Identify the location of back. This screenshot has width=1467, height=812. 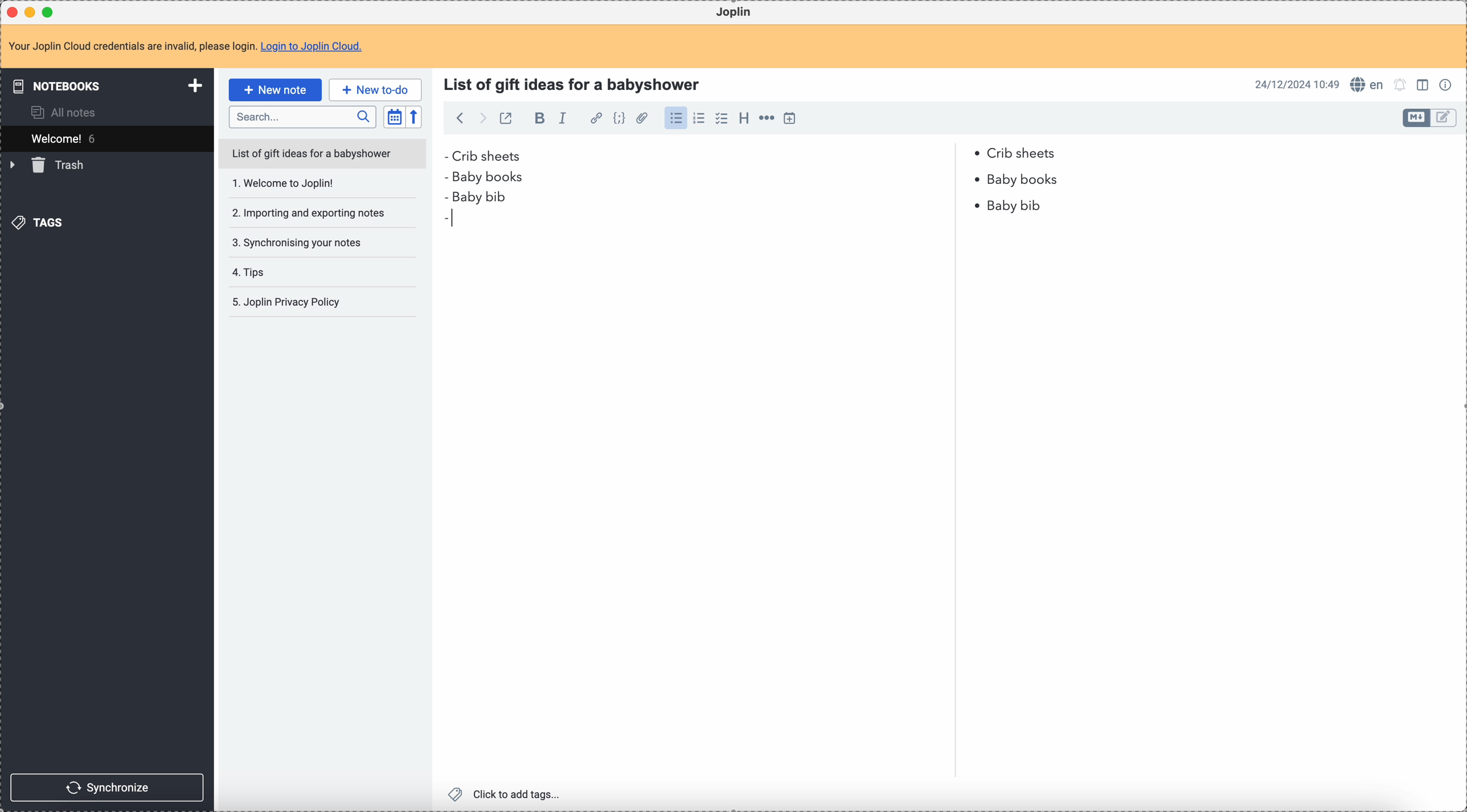
(461, 118).